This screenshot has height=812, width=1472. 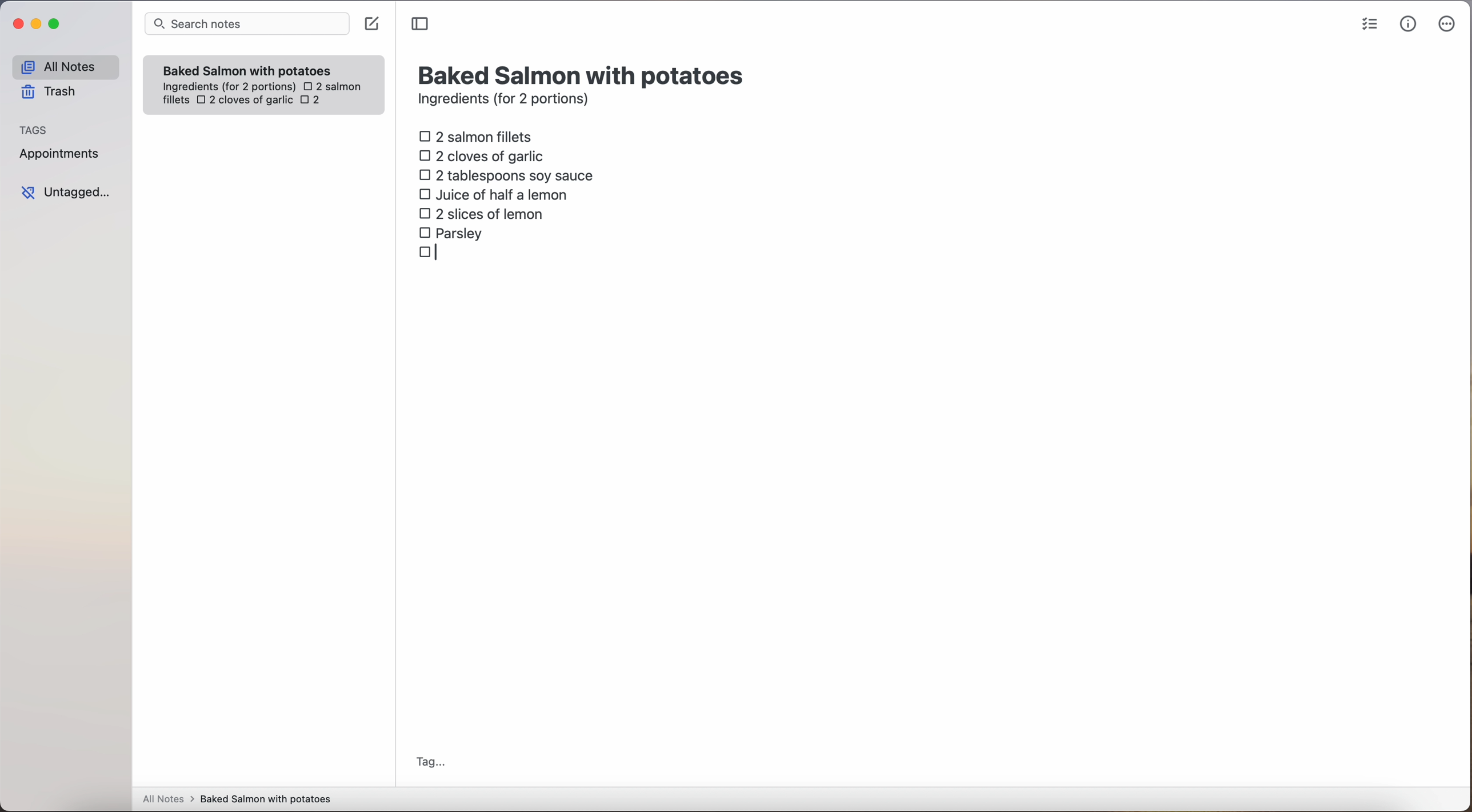 I want to click on trash, so click(x=53, y=92).